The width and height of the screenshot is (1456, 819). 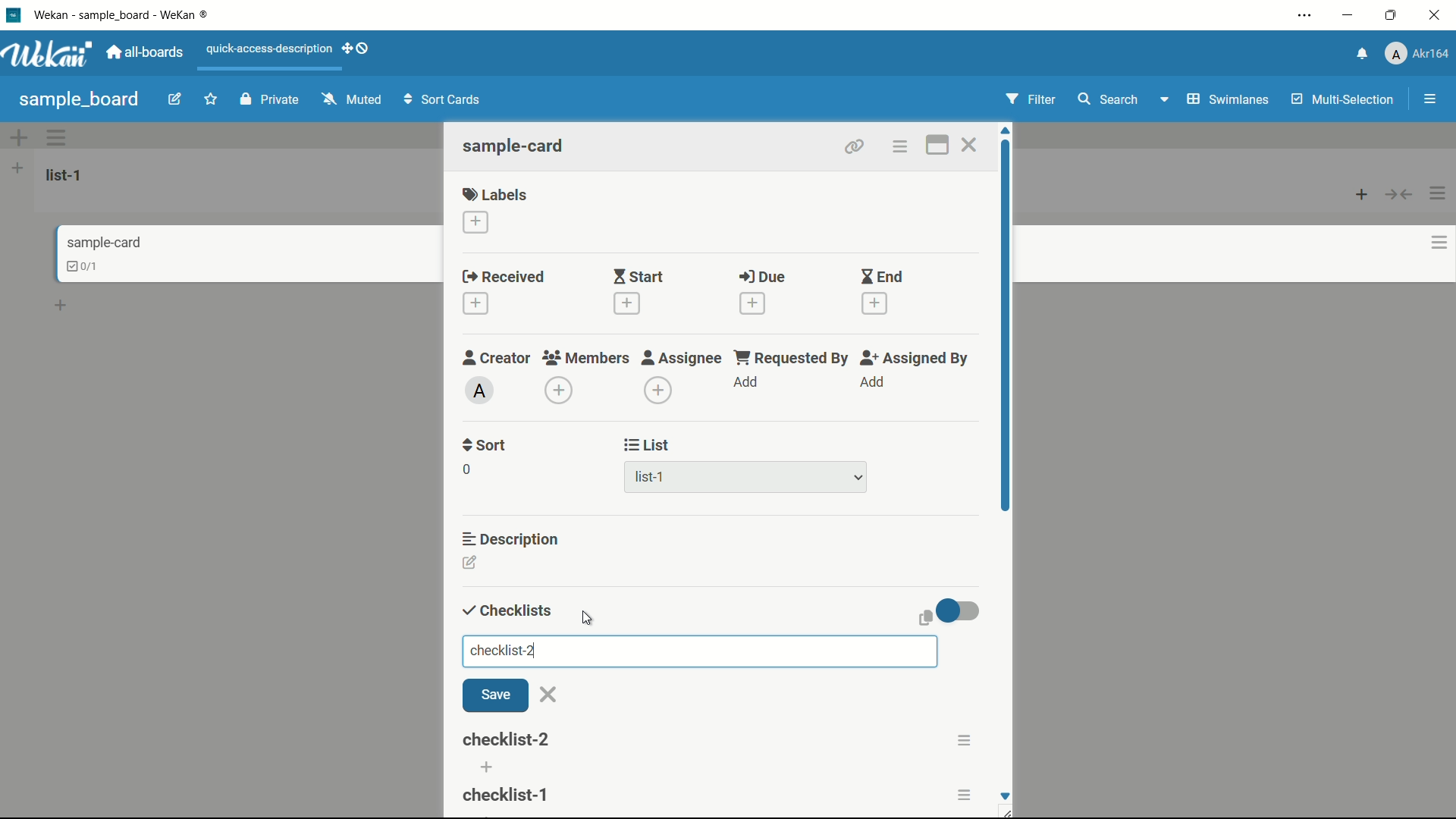 I want to click on search, so click(x=1106, y=99).